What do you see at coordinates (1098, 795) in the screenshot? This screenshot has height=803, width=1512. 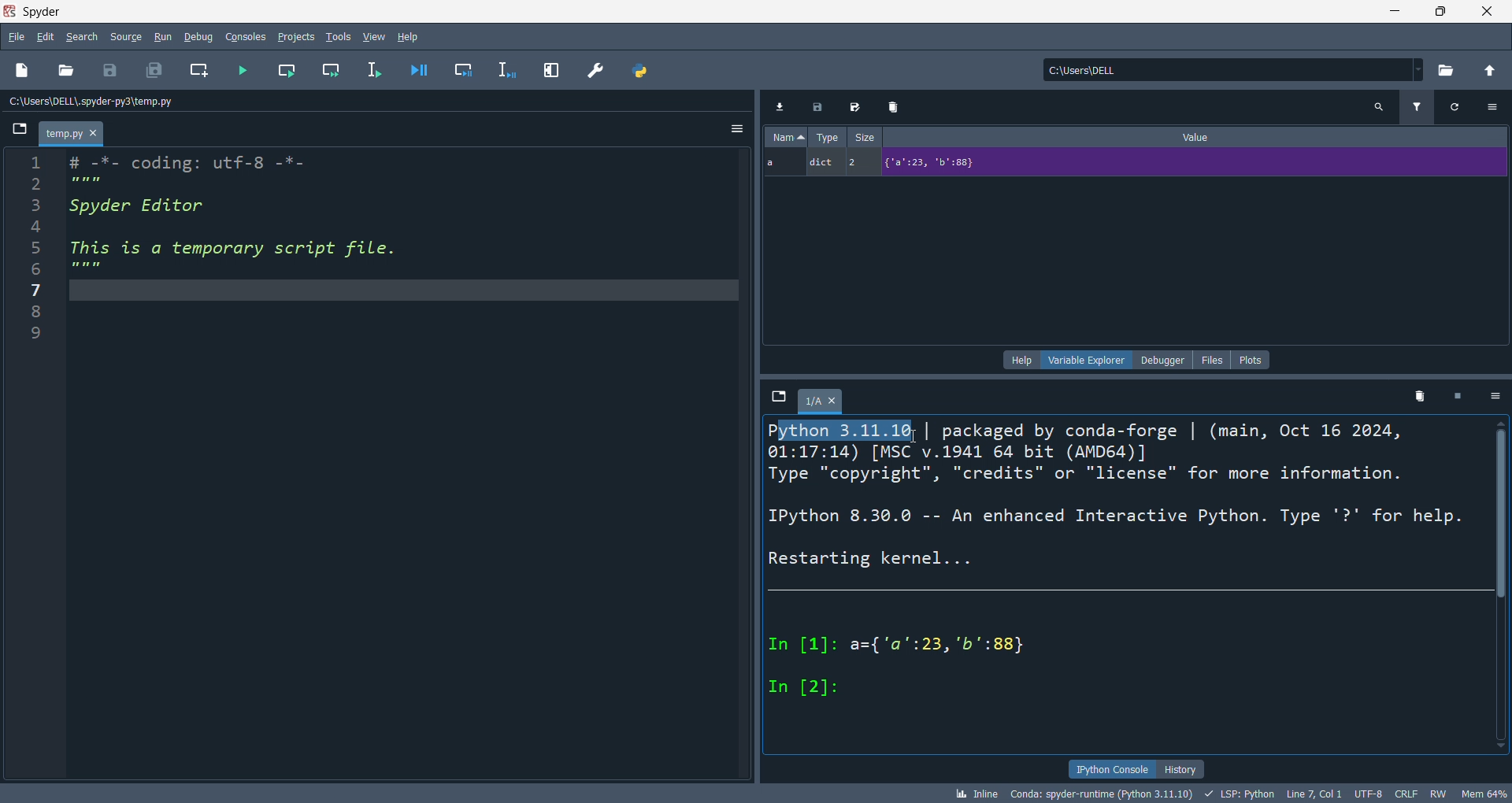 I see `conda: spyder-runtime (Python 3.11.10)` at bounding box center [1098, 795].